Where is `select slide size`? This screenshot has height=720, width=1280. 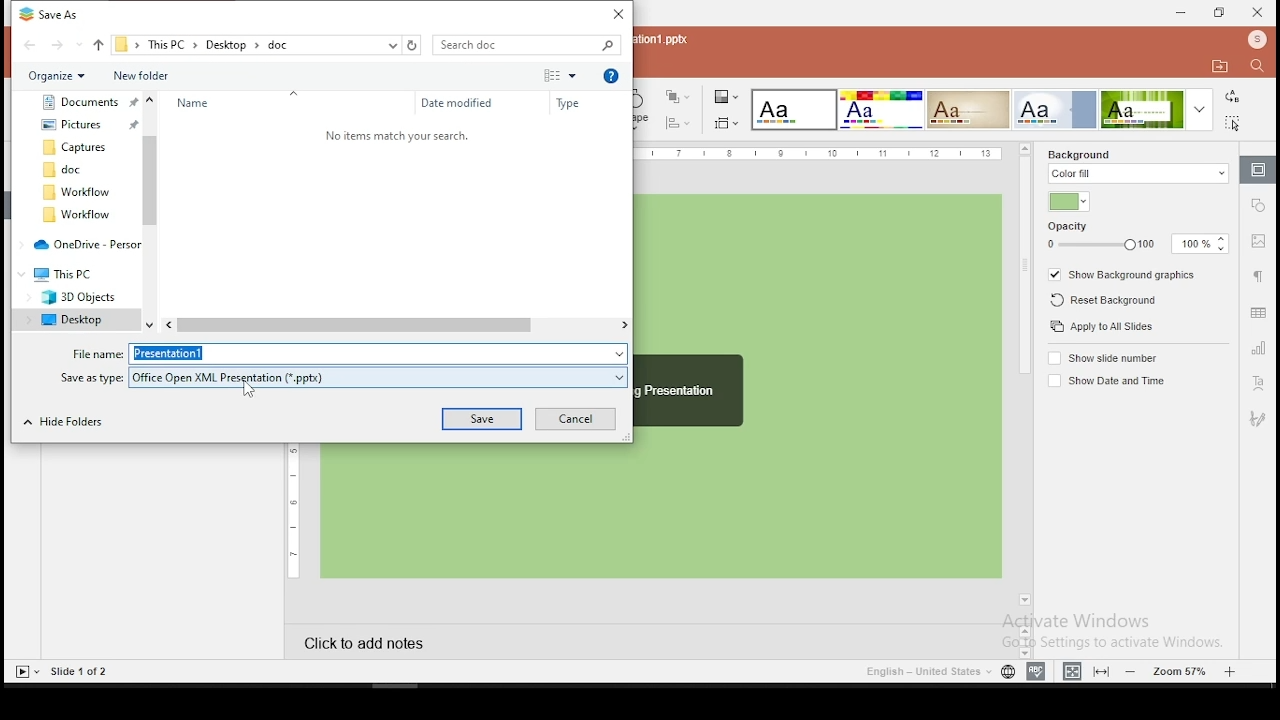
select slide size is located at coordinates (727, 122).